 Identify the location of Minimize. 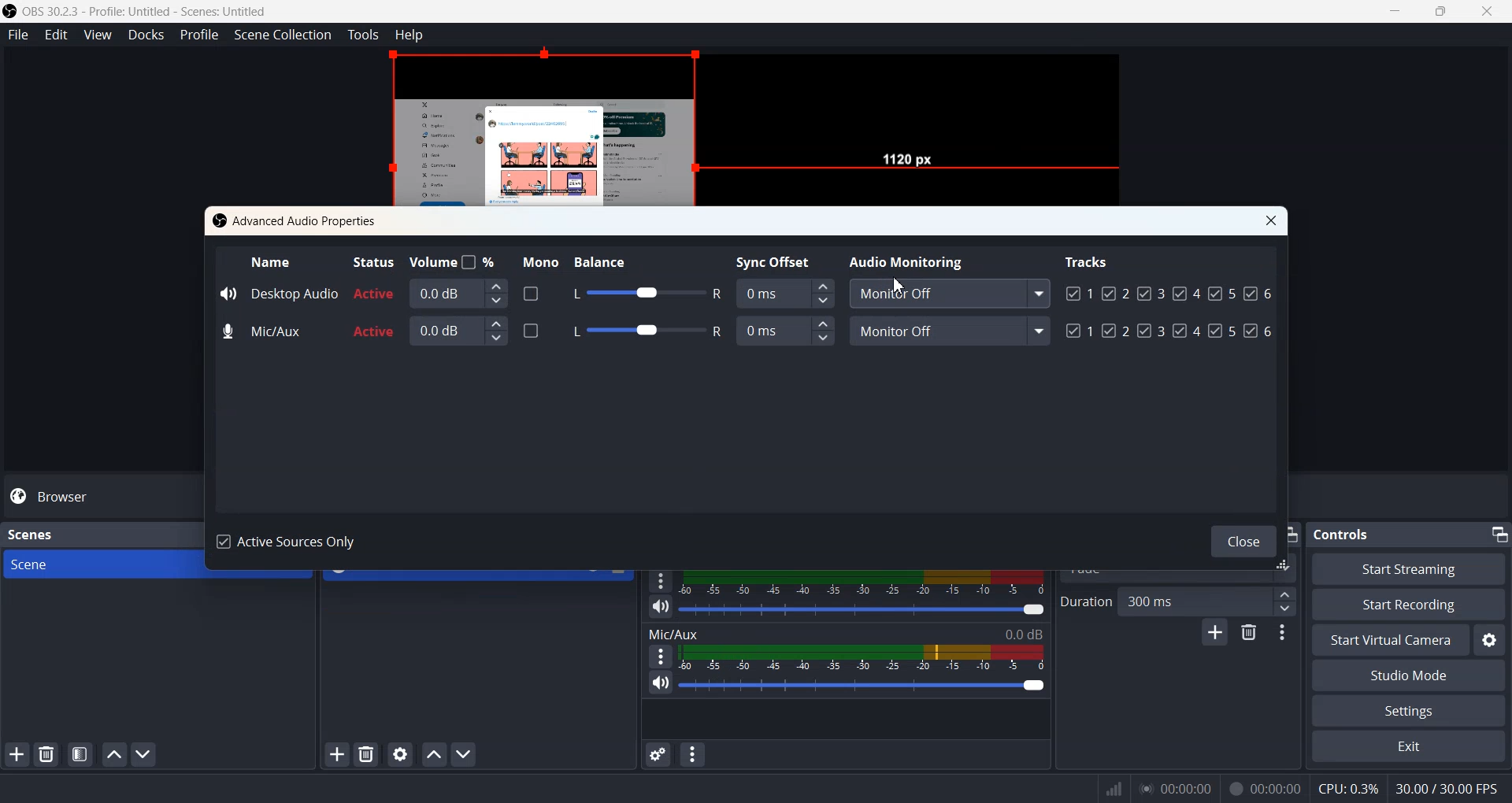
(1498, 531).